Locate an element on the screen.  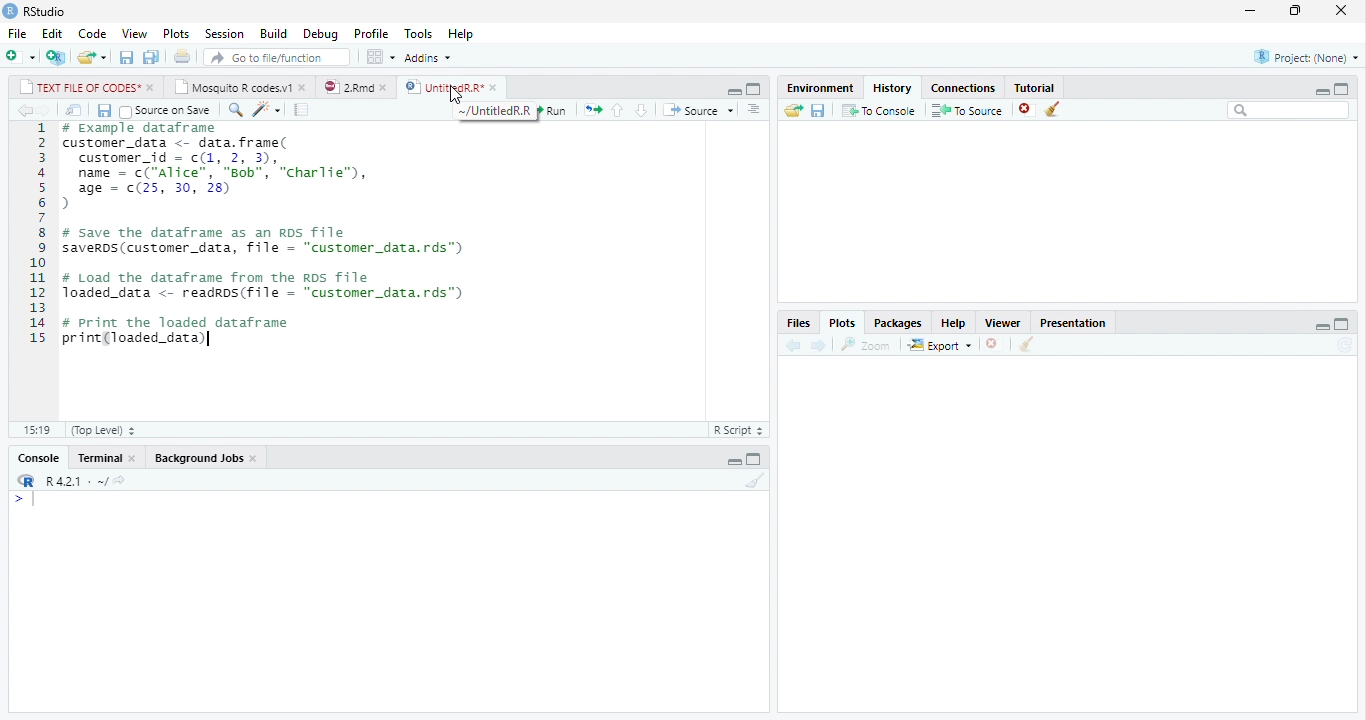
Session is located at coordinates (222, 35).